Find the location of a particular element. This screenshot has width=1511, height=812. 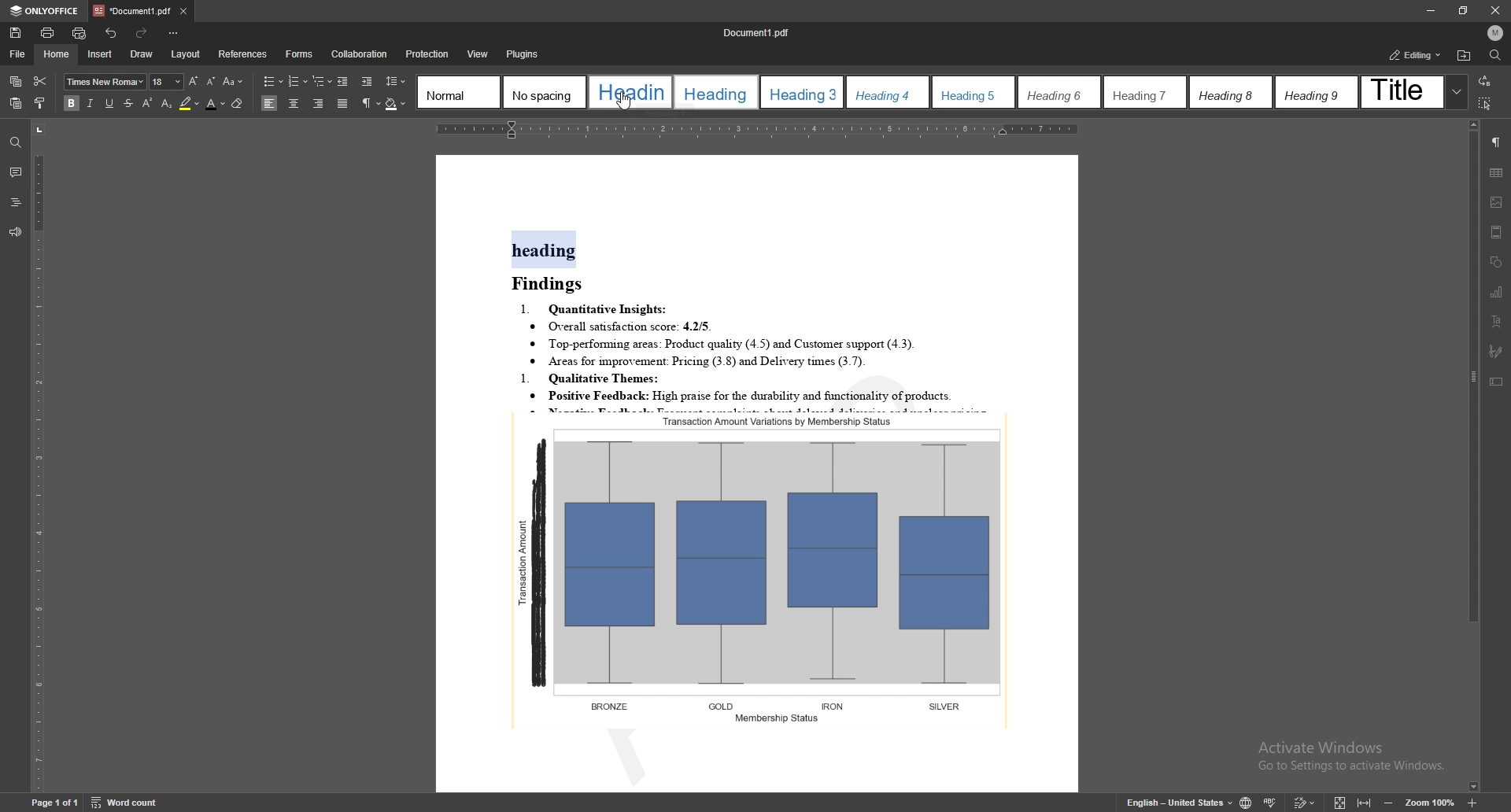

comment is located at coordinates (15, 172).